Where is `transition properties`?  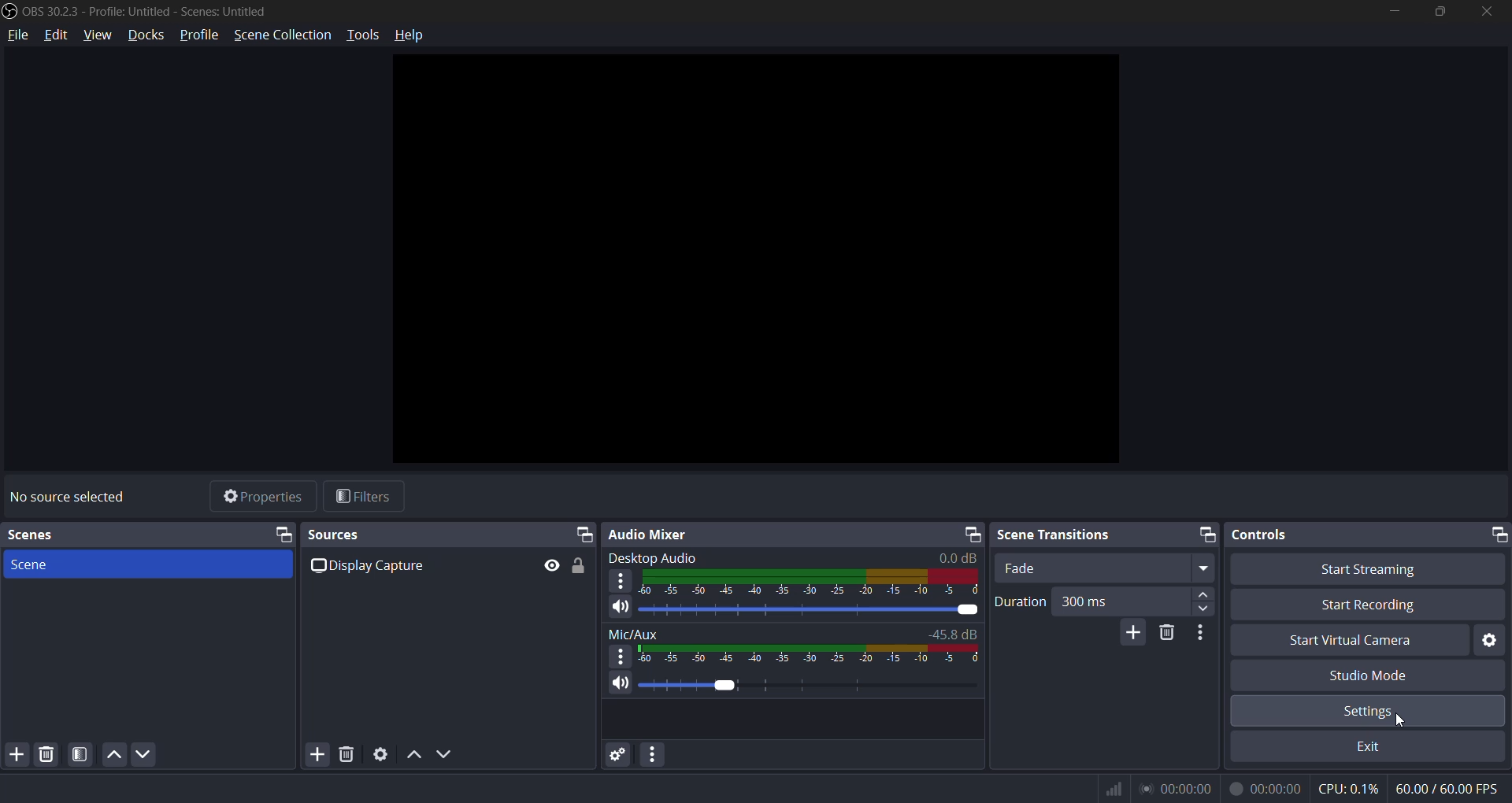 transition properties is located at coordinates (1206, 638).